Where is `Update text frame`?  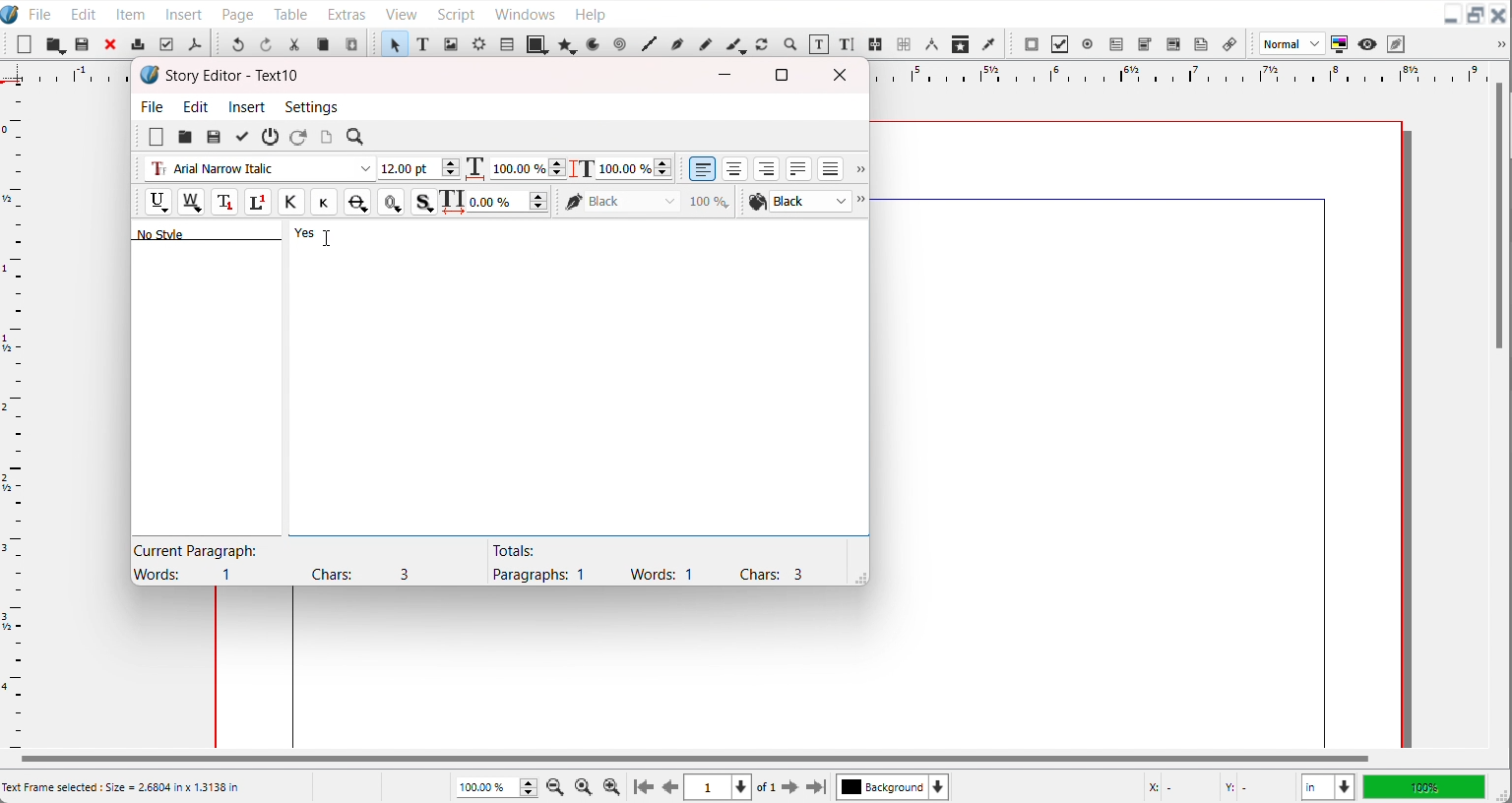
Update text frame is located at coordinates (326, 137).